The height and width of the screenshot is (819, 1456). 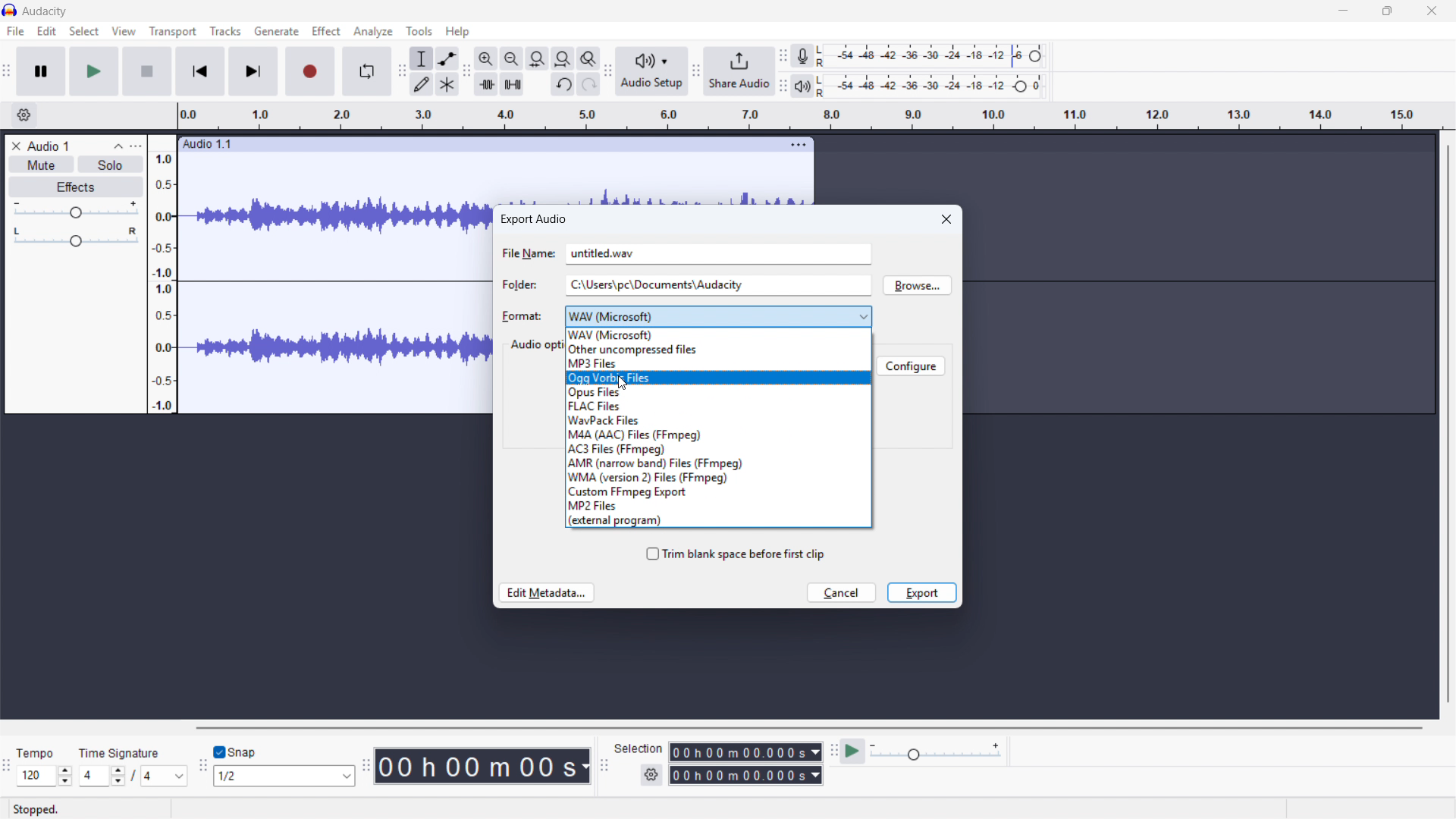 I want to click on View , so click(x=124, y=32).